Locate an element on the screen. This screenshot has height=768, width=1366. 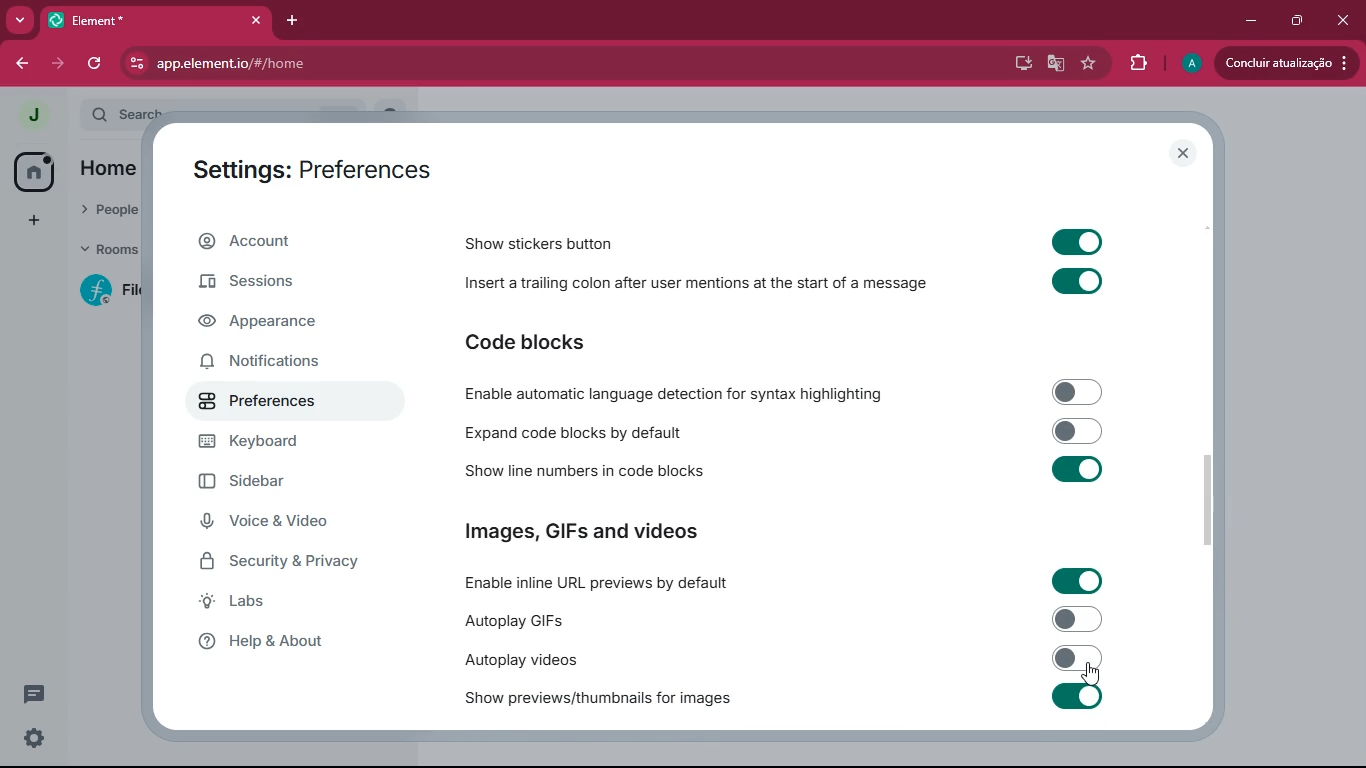
scrollbar is located at coordinates (1207, 499).